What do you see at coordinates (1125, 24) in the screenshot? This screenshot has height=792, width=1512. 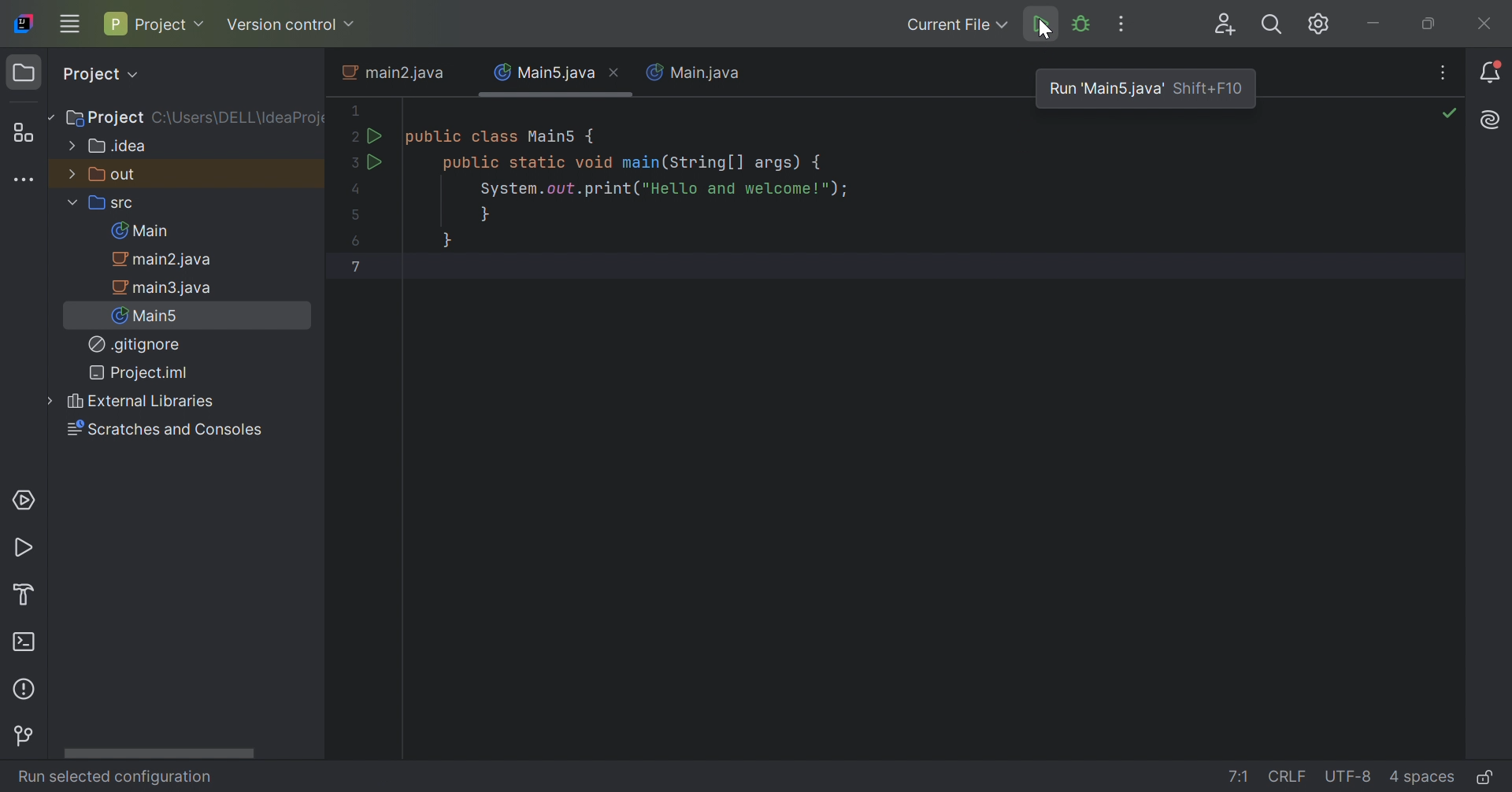 I see `More Actions` at bounding box center [1125, 24].